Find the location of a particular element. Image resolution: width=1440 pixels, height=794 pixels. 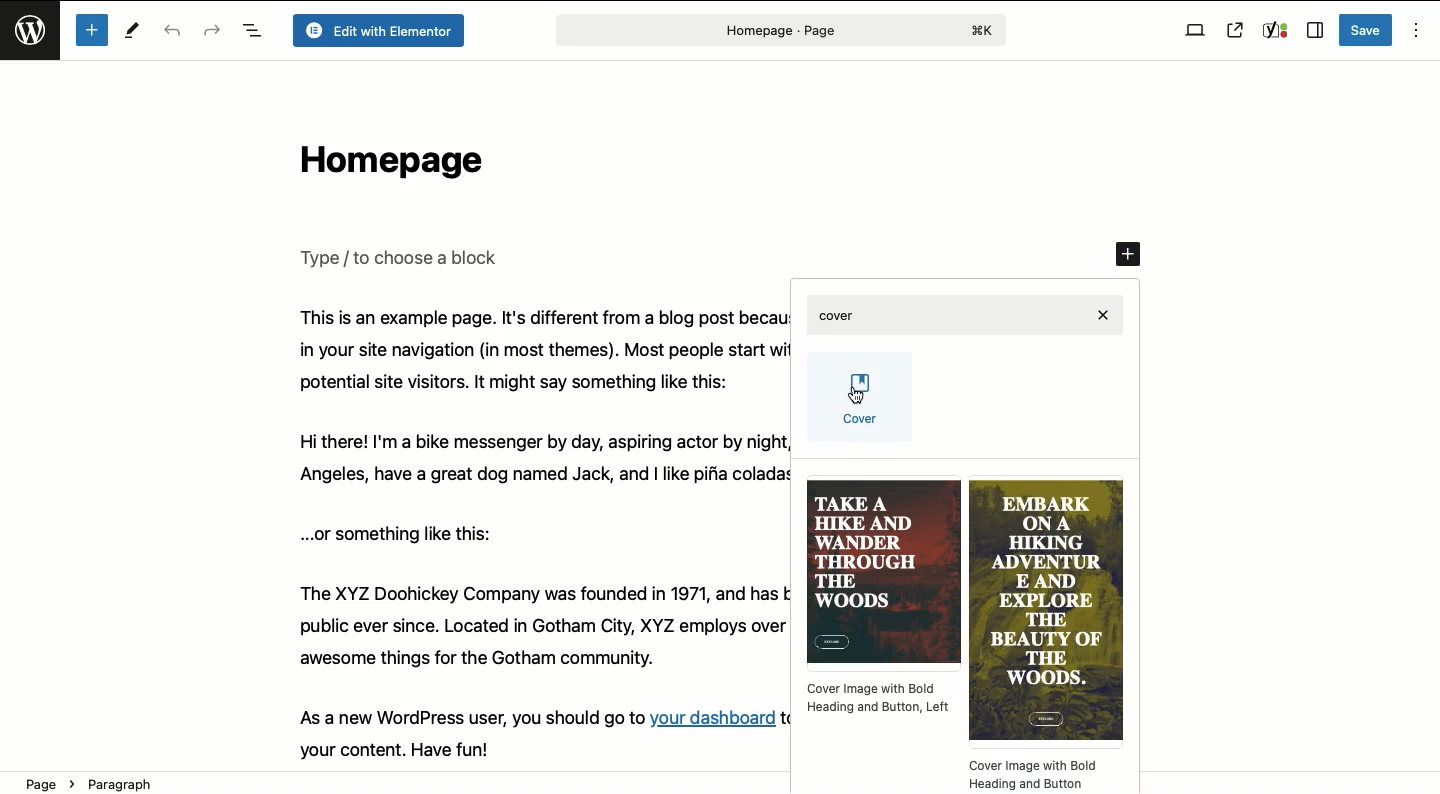

Cover is located at coordinates (969, 316).